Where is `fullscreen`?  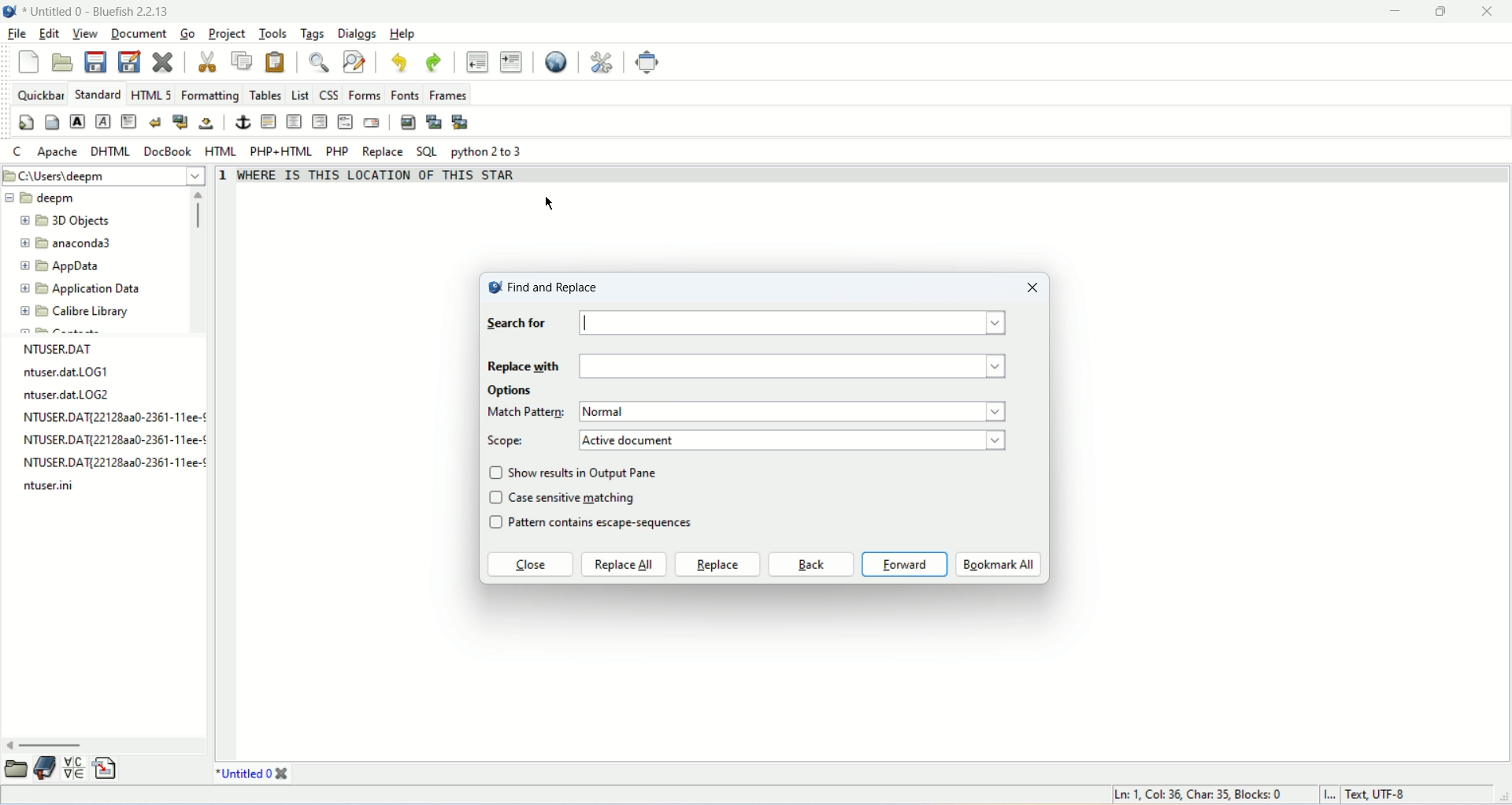 fullscreen is located at coordinates (650, 63).